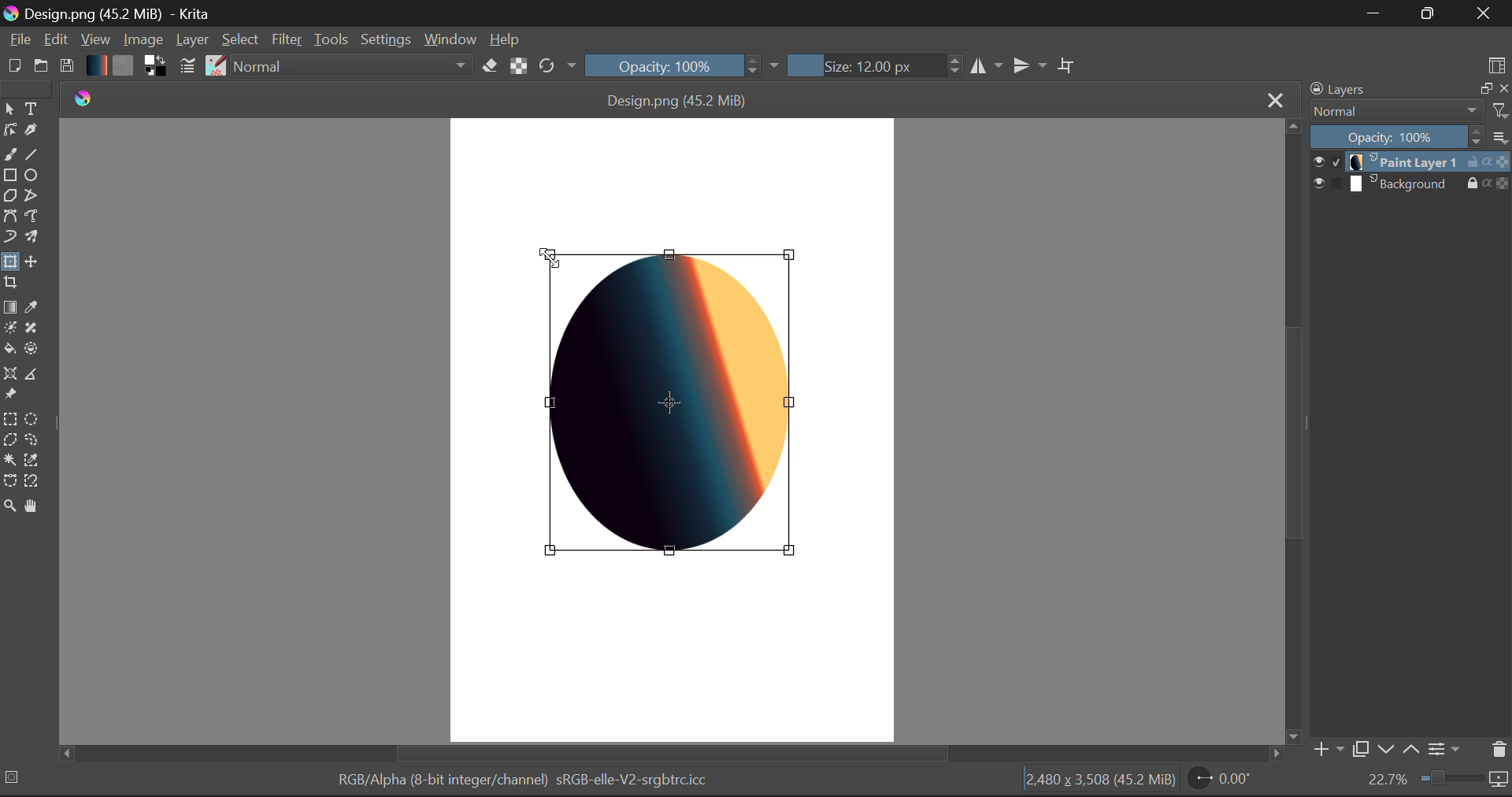  I want to click on Copy Layer, so click(1359, 749).